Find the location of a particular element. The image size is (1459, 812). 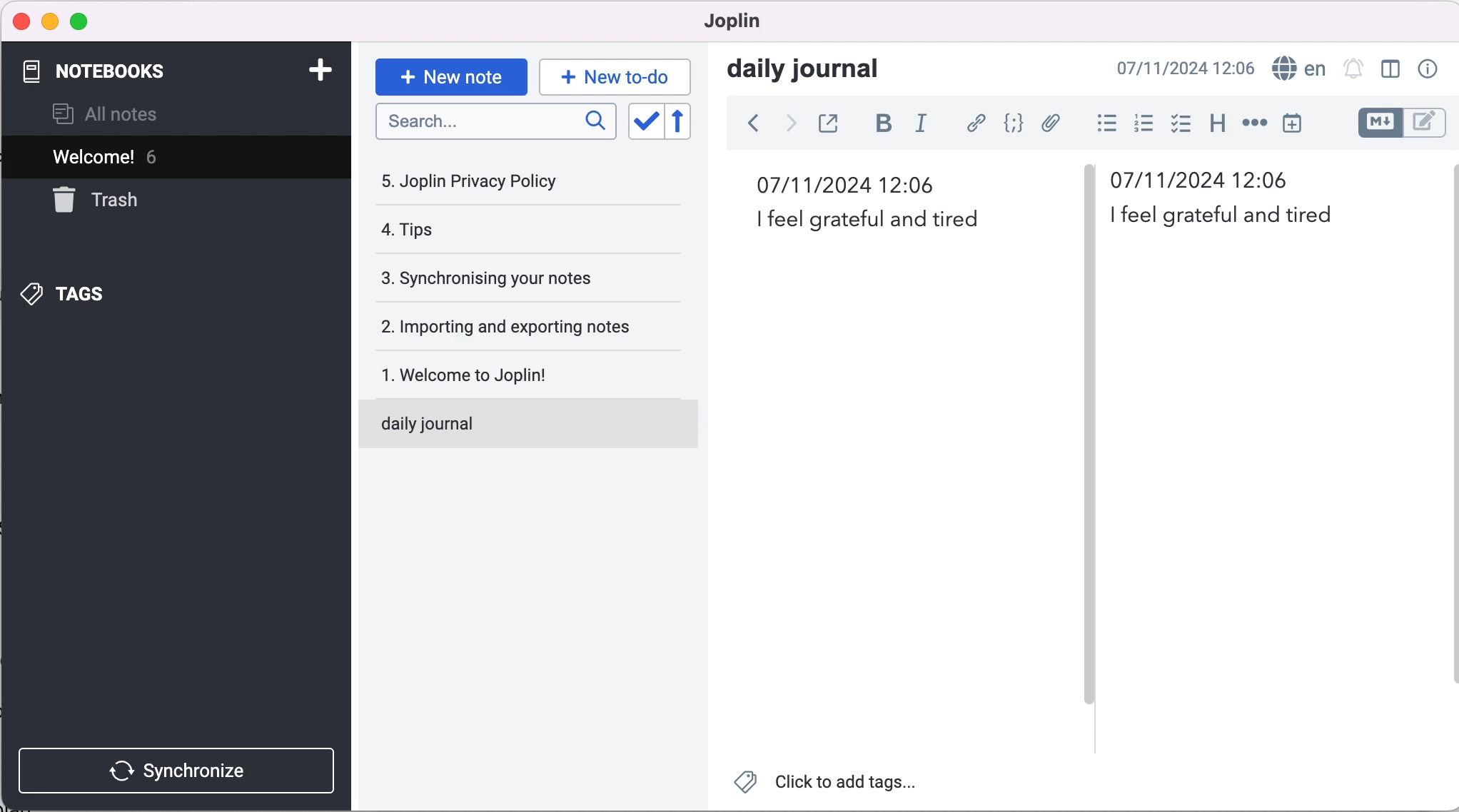

Welcome! 6 is located at coordinates (143, 159).